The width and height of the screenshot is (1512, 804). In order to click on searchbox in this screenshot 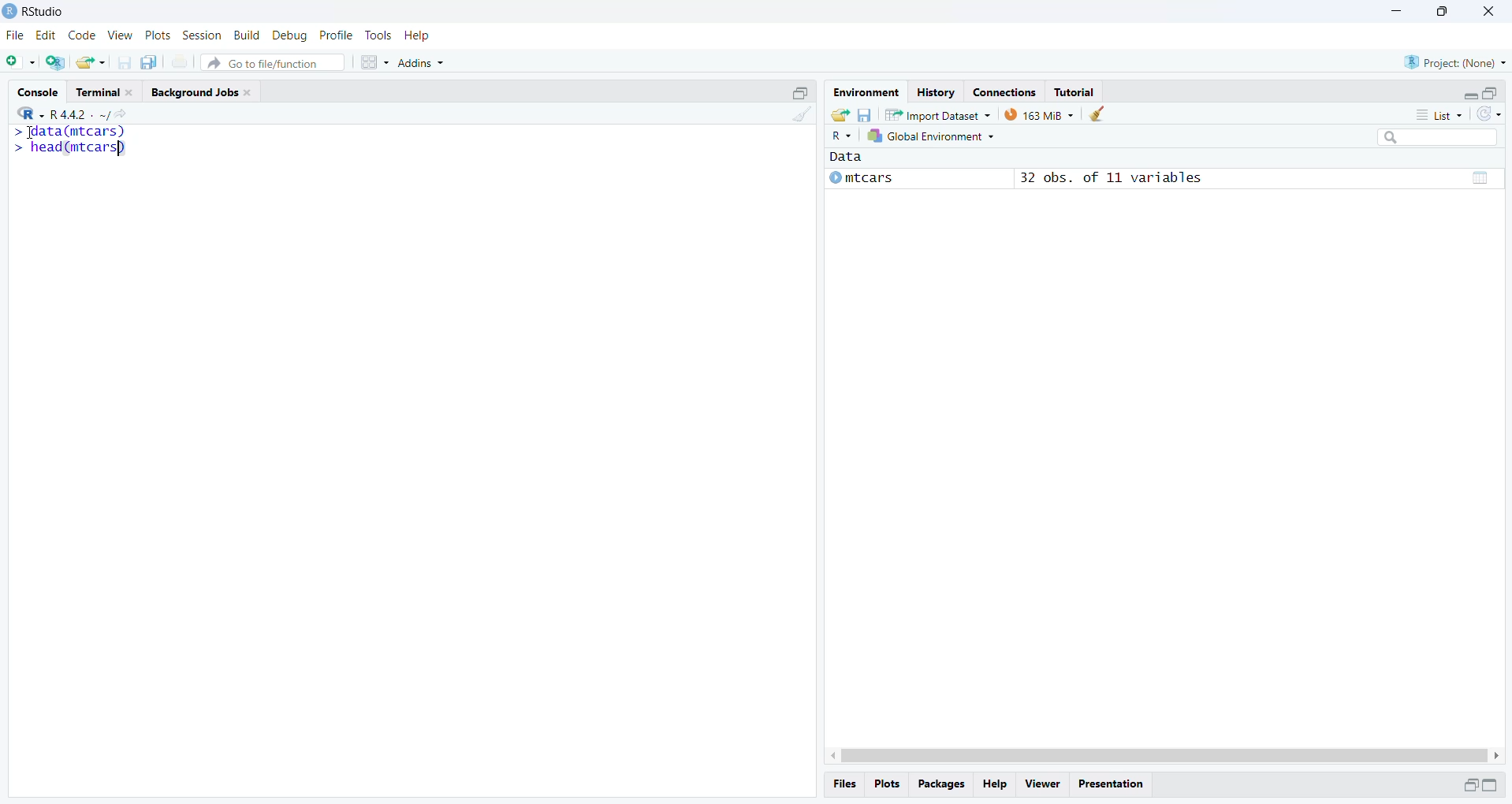, I will do `click(1439, 136)`.